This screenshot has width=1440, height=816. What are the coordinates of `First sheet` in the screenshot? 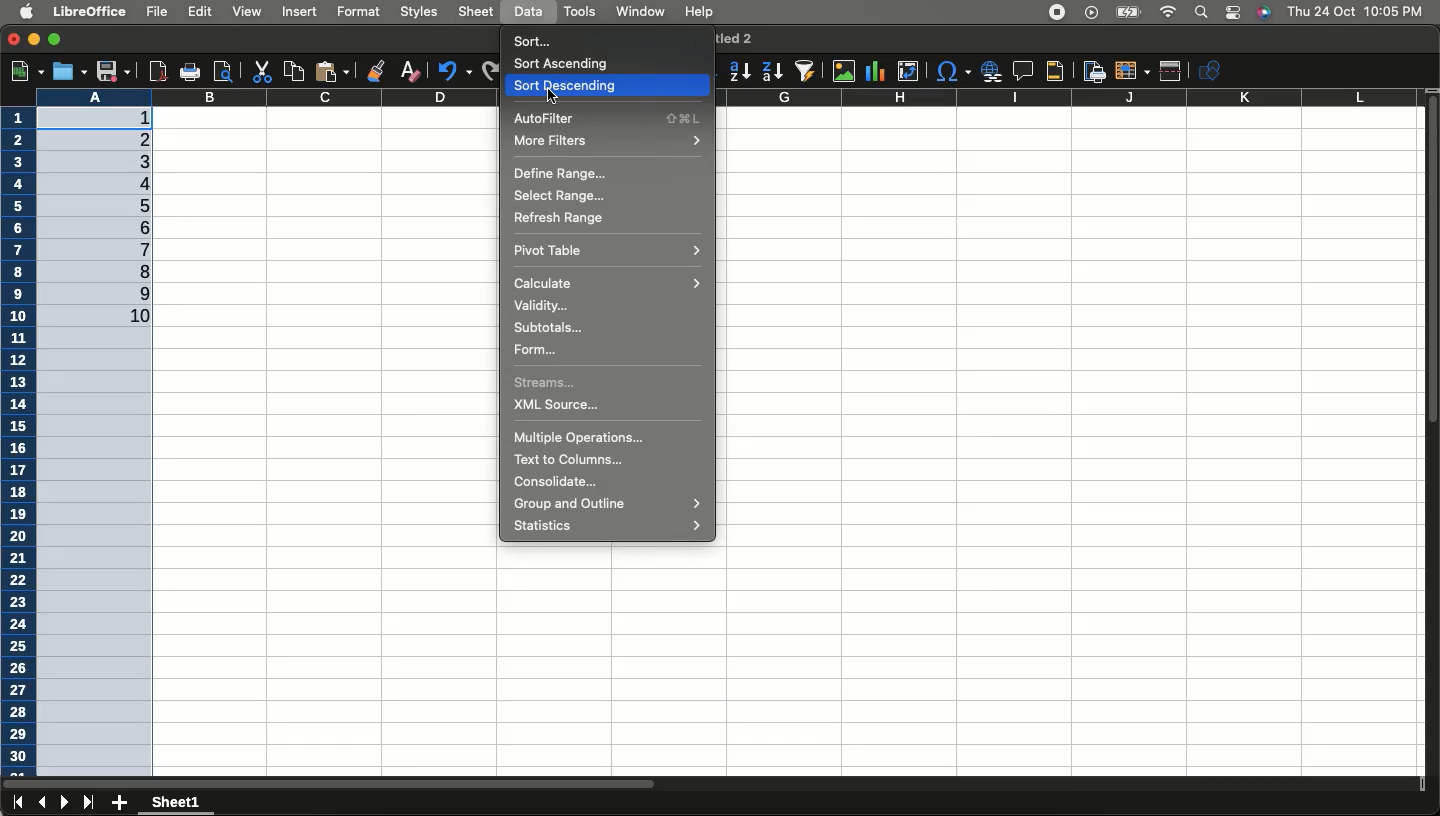 It's located at (16, 804).